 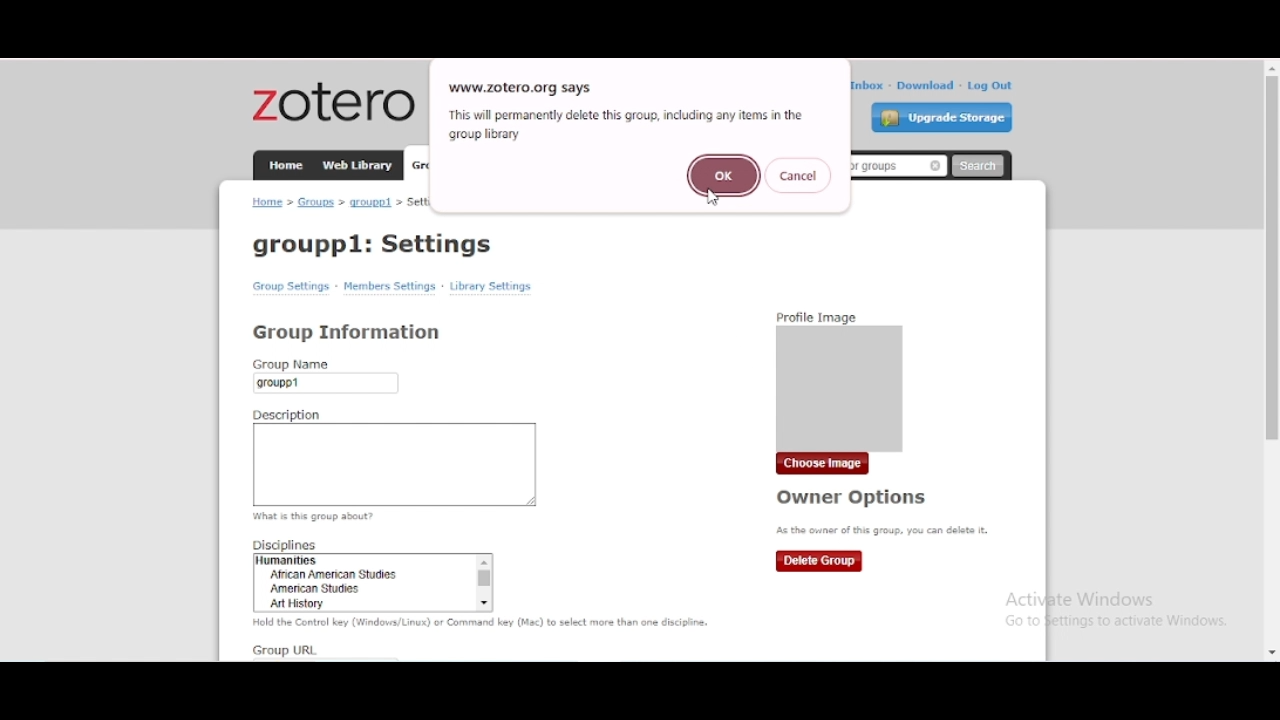 What do you see at coordinates (726, 174) in the screenshot?
I see `ok` at bounding box center [726, 174].